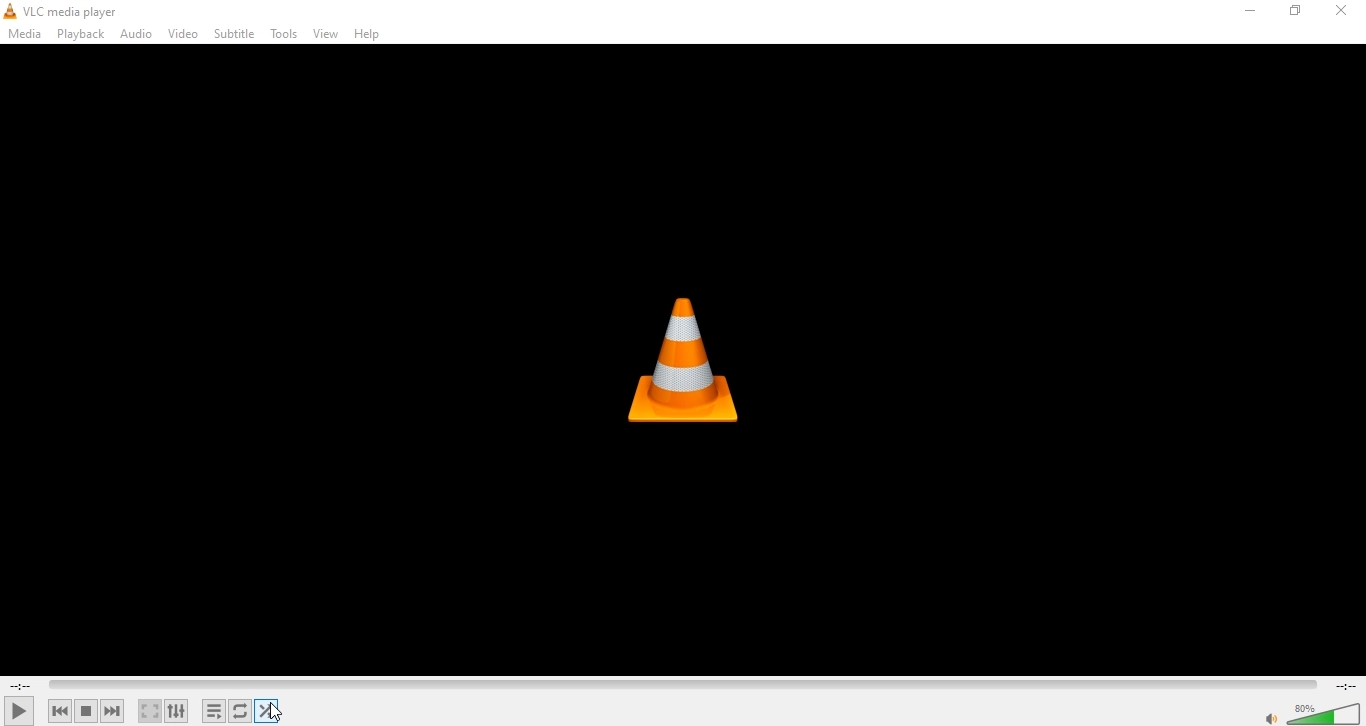 The image size is (1366, 726). I want to click on stop playback, so click(85, 710).